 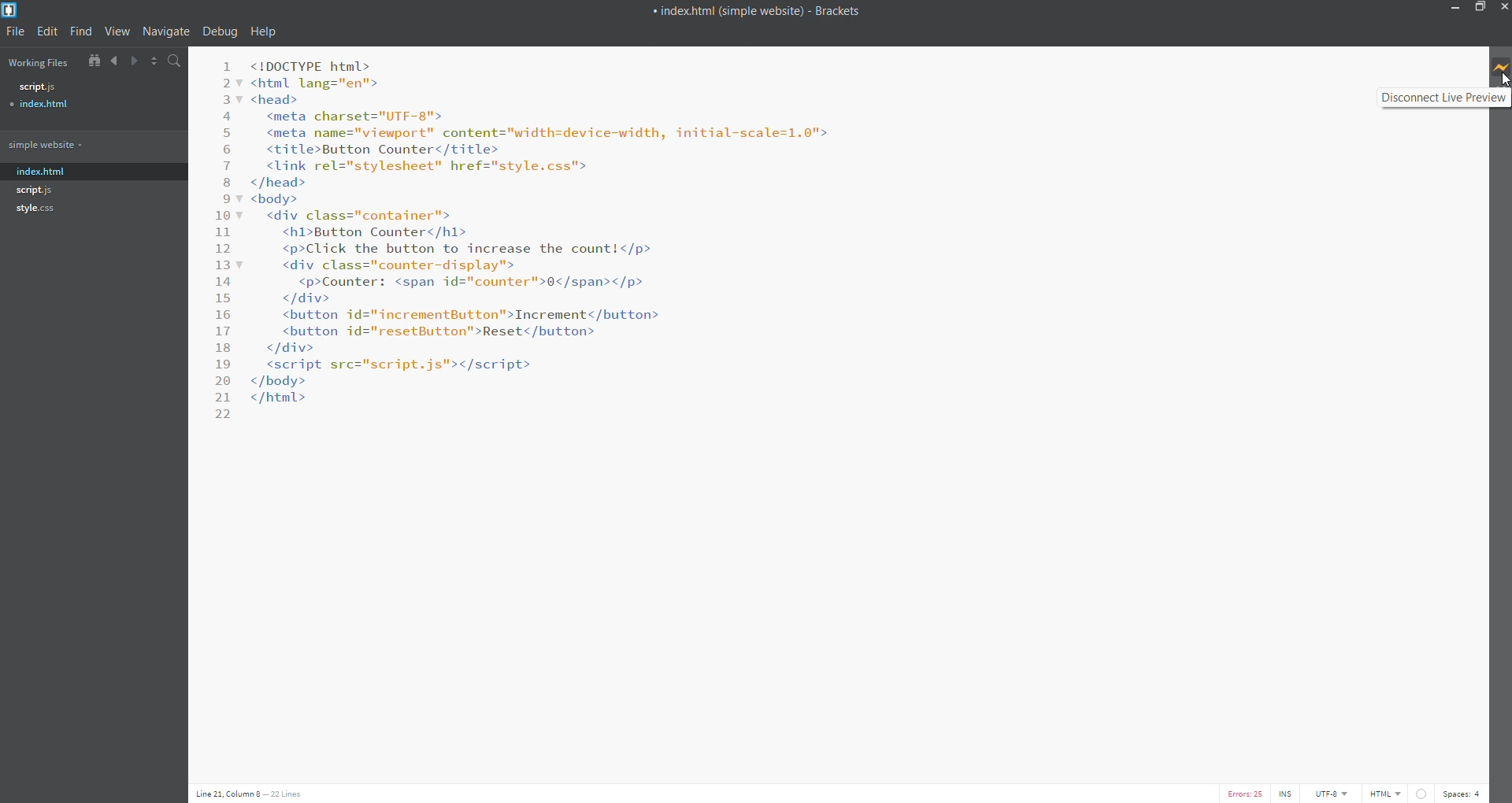 What do you see at coordinates (220, 239) in the screenshot?
I see `number of line` at bounding box center [220, 239].